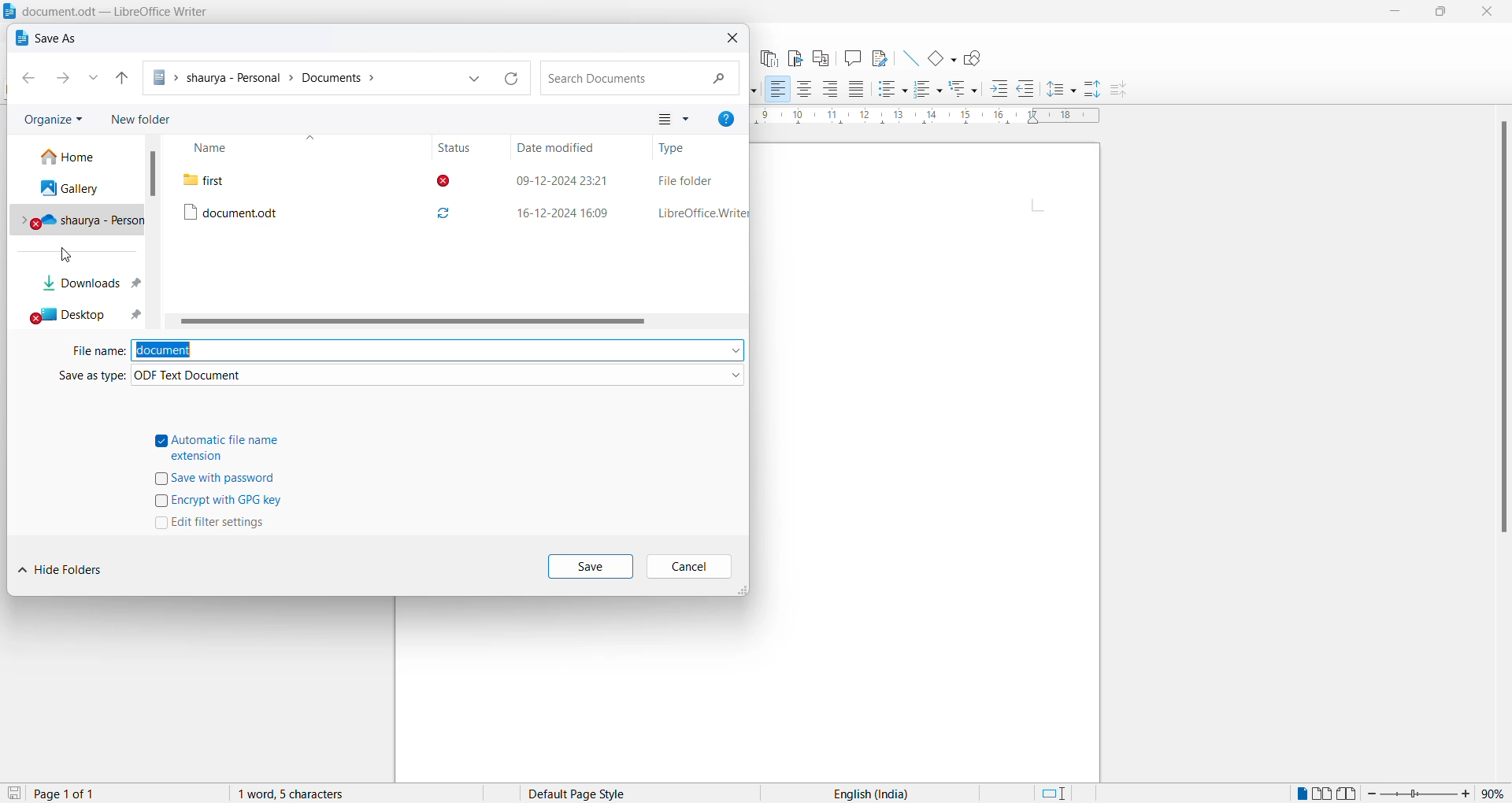  What do you see at coordinates (867, 793) in the screenshot?
I see `Text language` at bounding box center [867, 793].